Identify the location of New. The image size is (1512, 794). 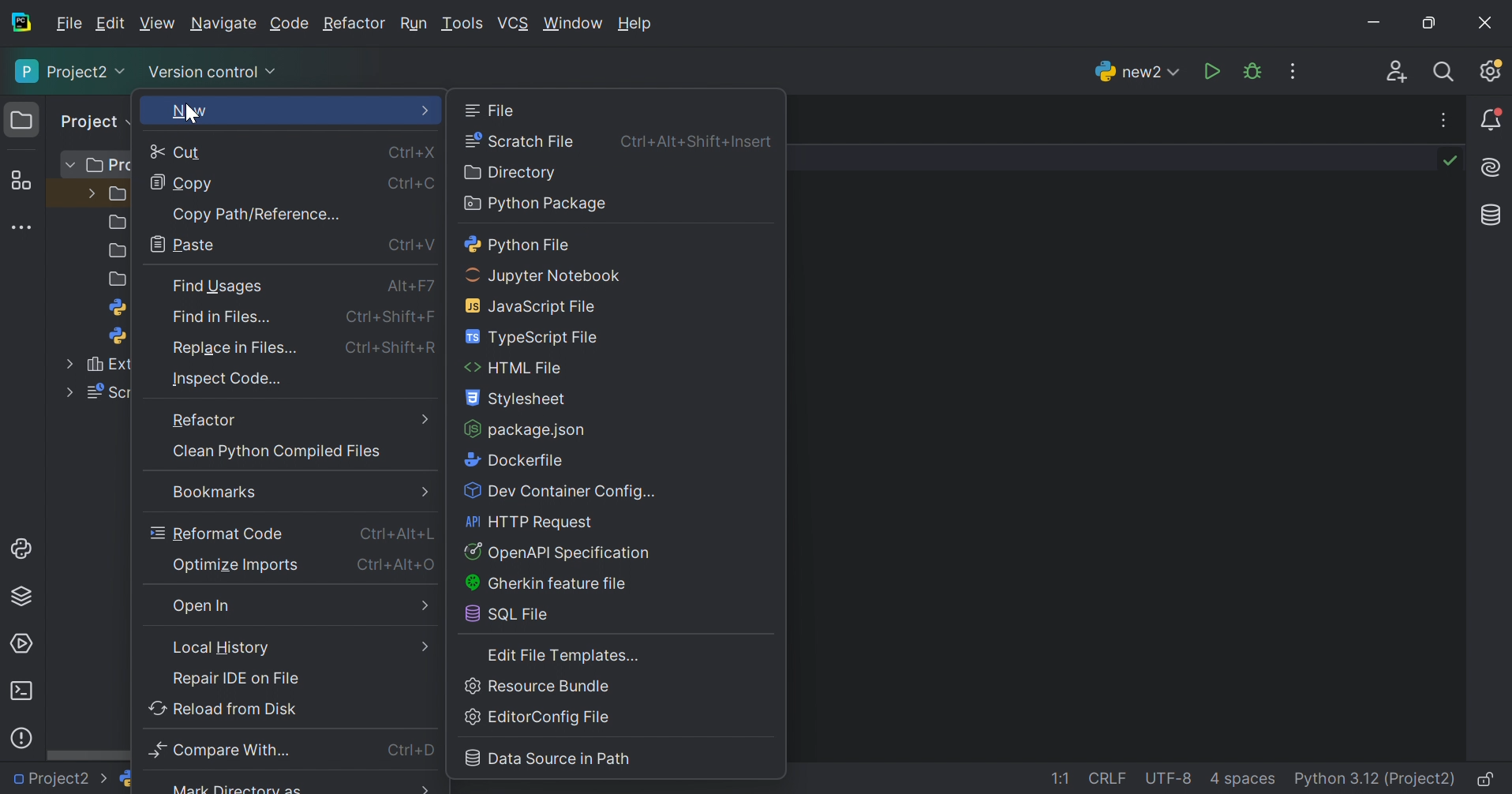
(189, 114).